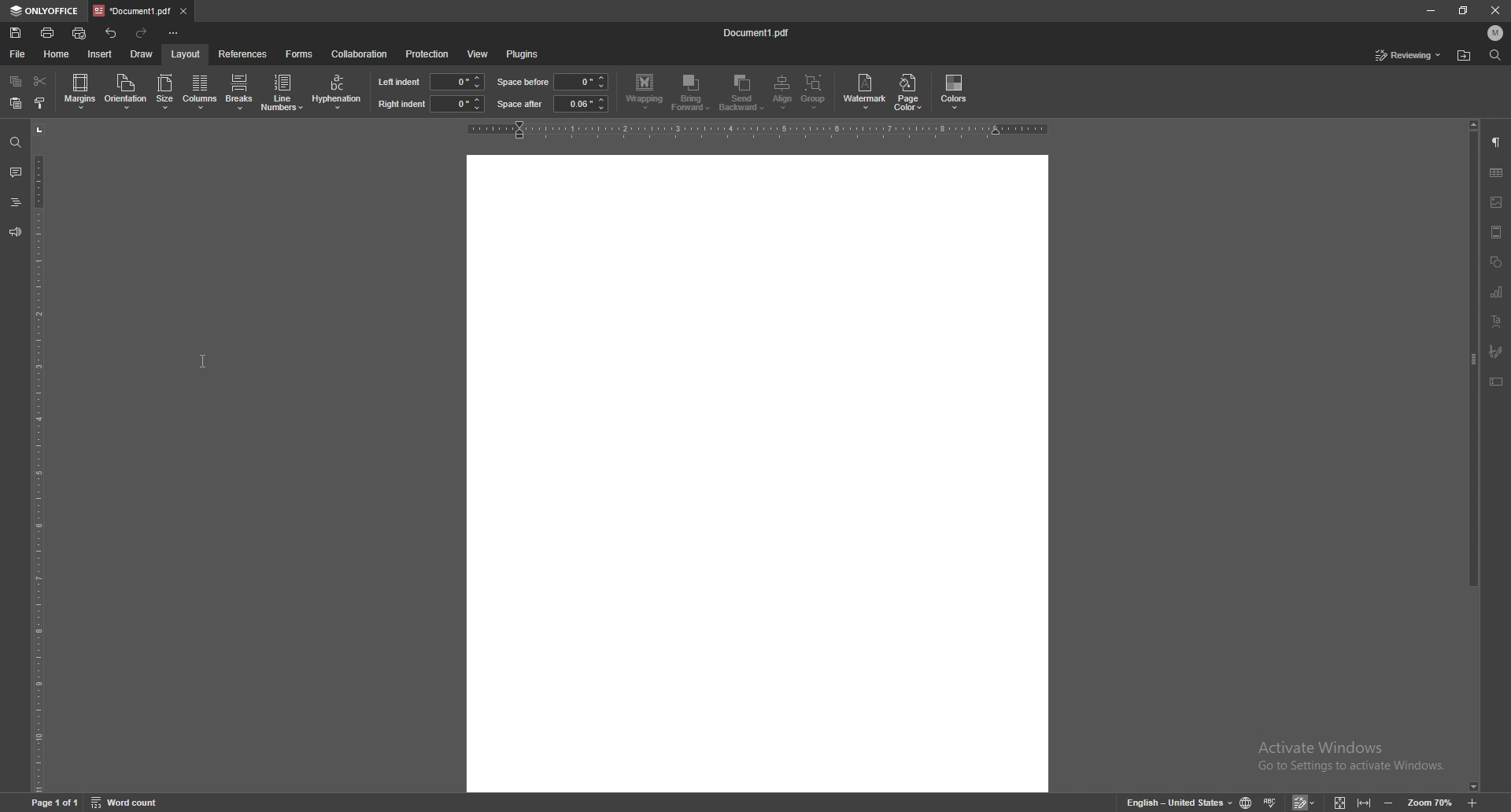  Describe the element at coordinates (1174, 803) in the screenshot. I see `English - United states` at that location.